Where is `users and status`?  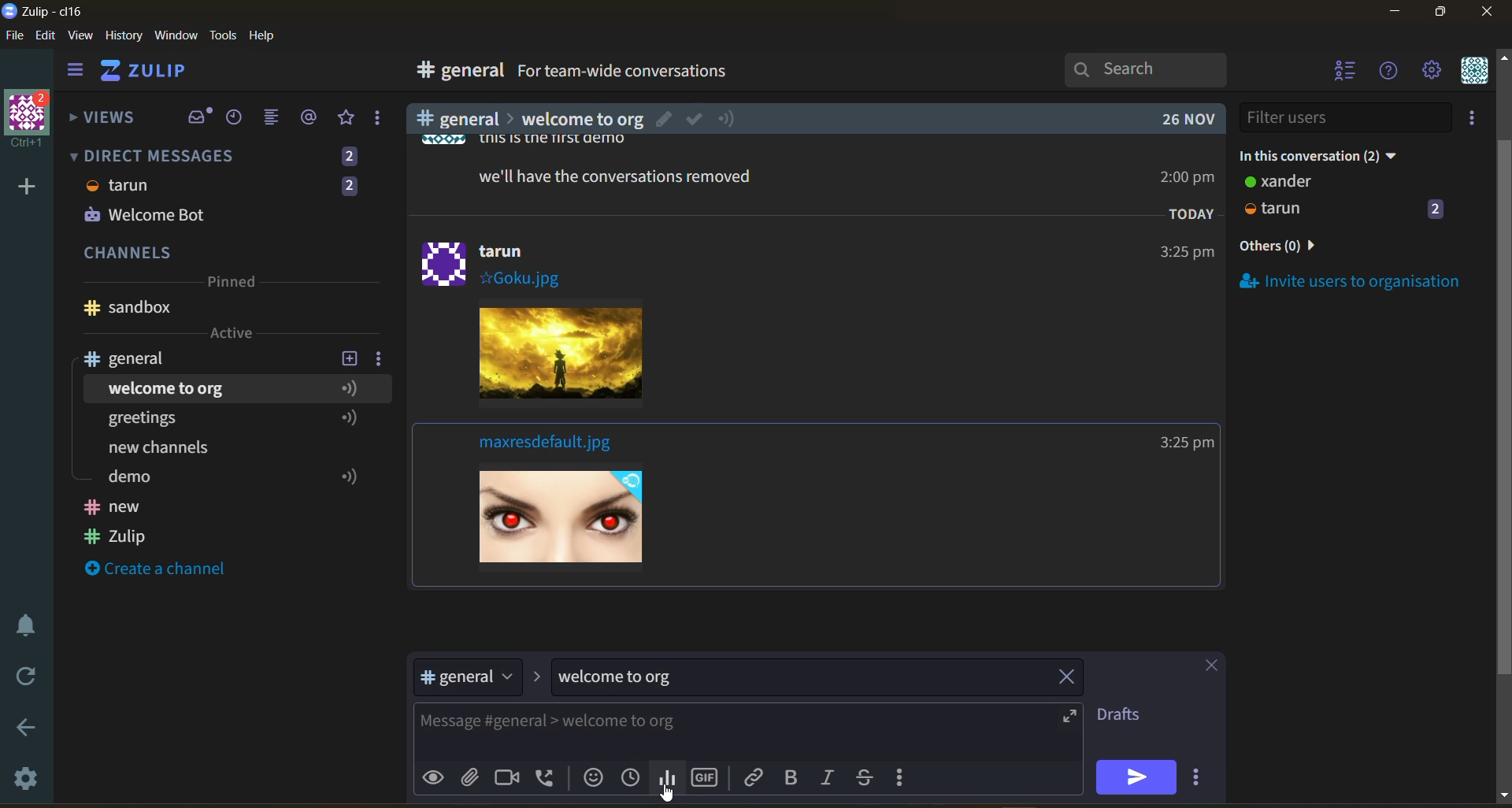 users and status is located at coordinates (1346, 198).